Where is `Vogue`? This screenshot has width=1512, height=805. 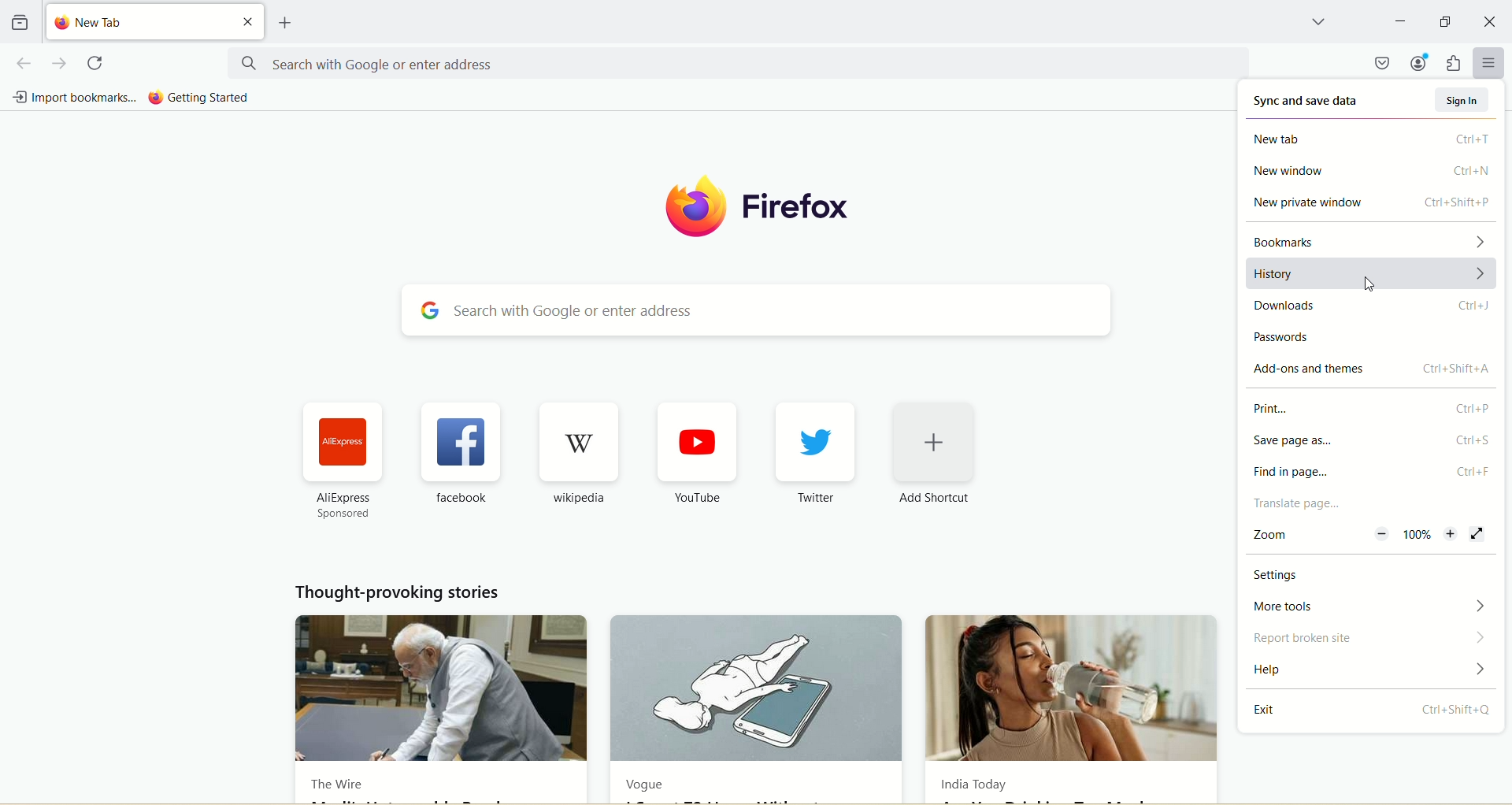 Vogue is located at coordinates (649, 783).